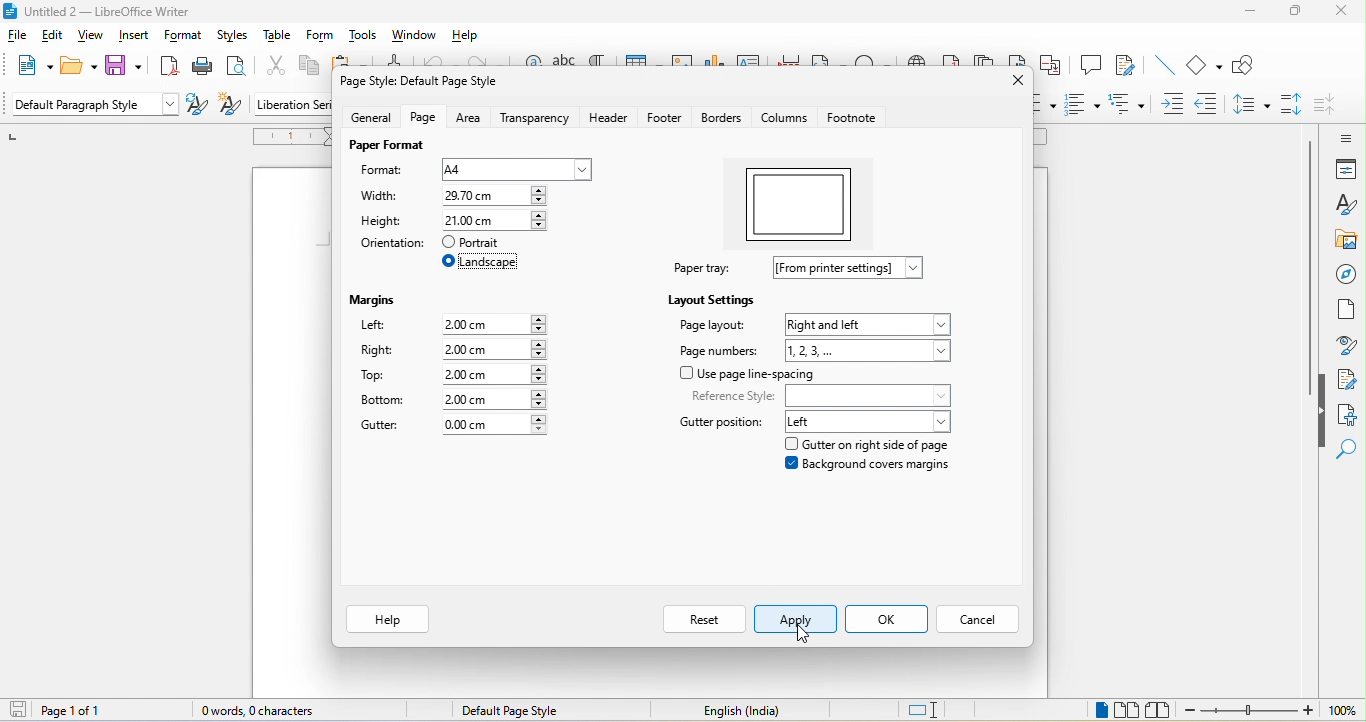 This screenshot has width=1366, height=722. Describe the element at coordinates (492, 428) in the screenshot. I see `0.00 cm` at that location.